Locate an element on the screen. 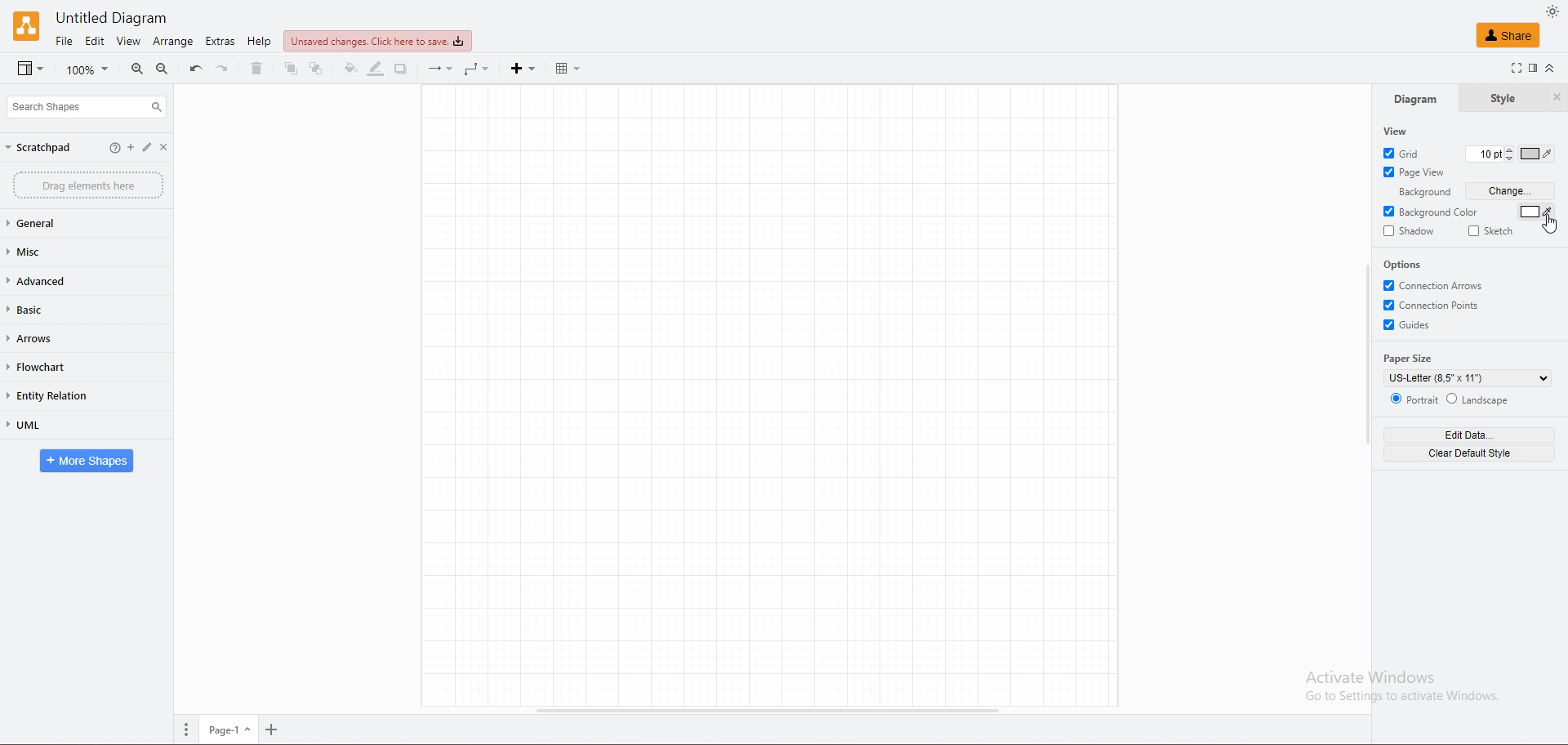  options is located at coordinates (1404, 264).